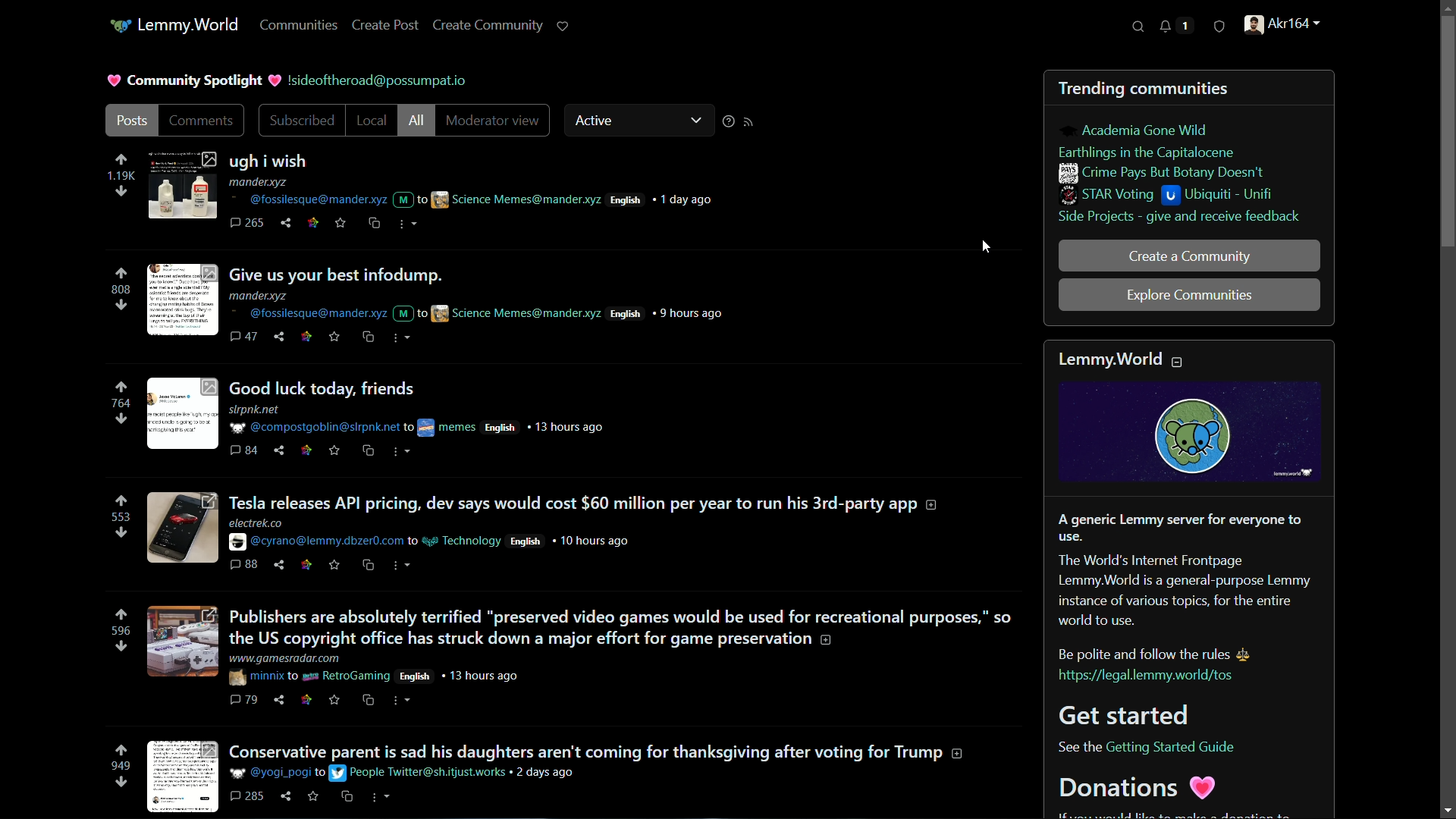 This screenshot has height=819, width=1456. What do you see at coordinates (314, 222) in the screenshot?
I see `link` at bounding box center [314, 222].